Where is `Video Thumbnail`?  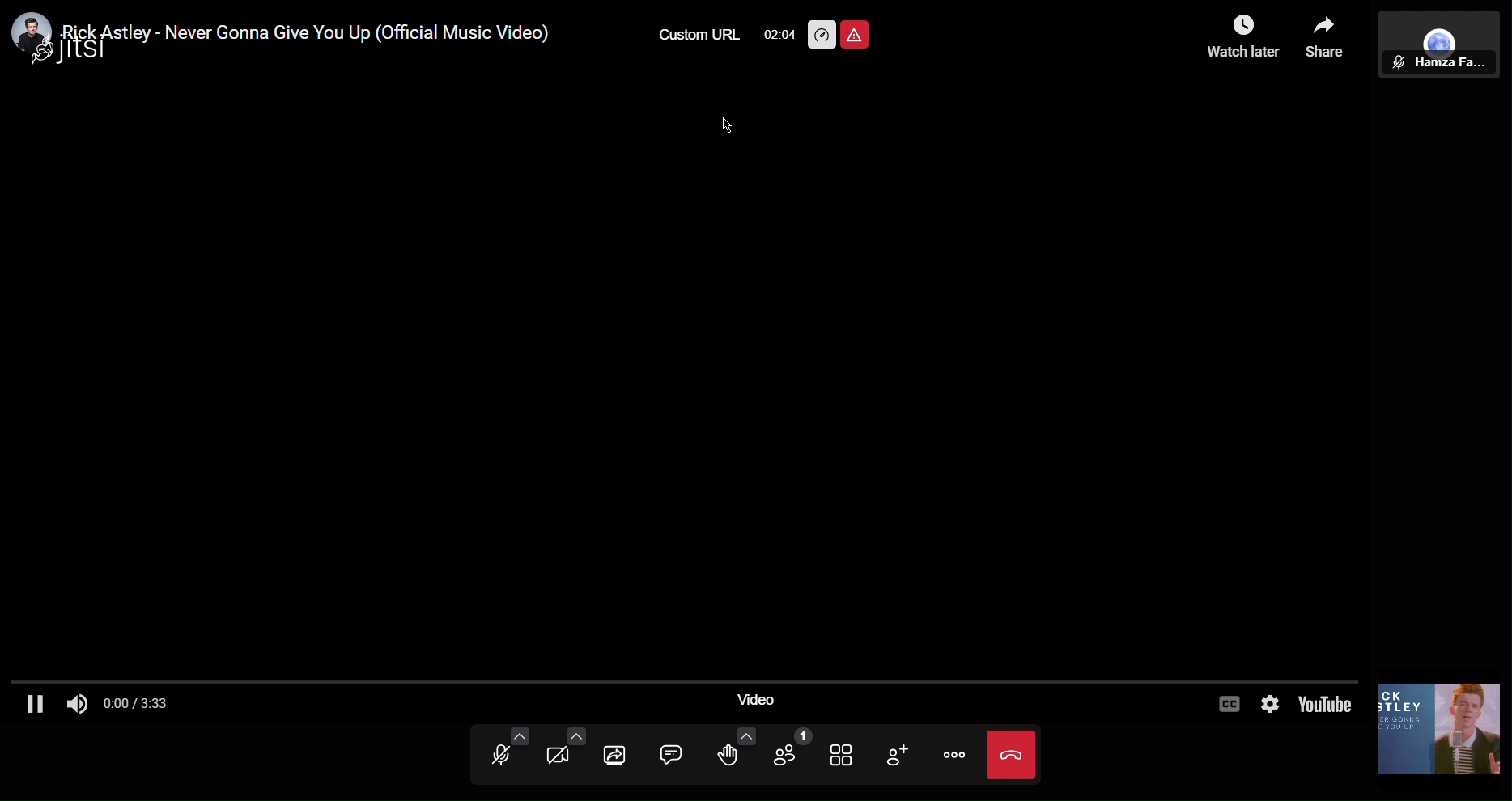
Video Thumbnail is located at coordinates (1443, 725).